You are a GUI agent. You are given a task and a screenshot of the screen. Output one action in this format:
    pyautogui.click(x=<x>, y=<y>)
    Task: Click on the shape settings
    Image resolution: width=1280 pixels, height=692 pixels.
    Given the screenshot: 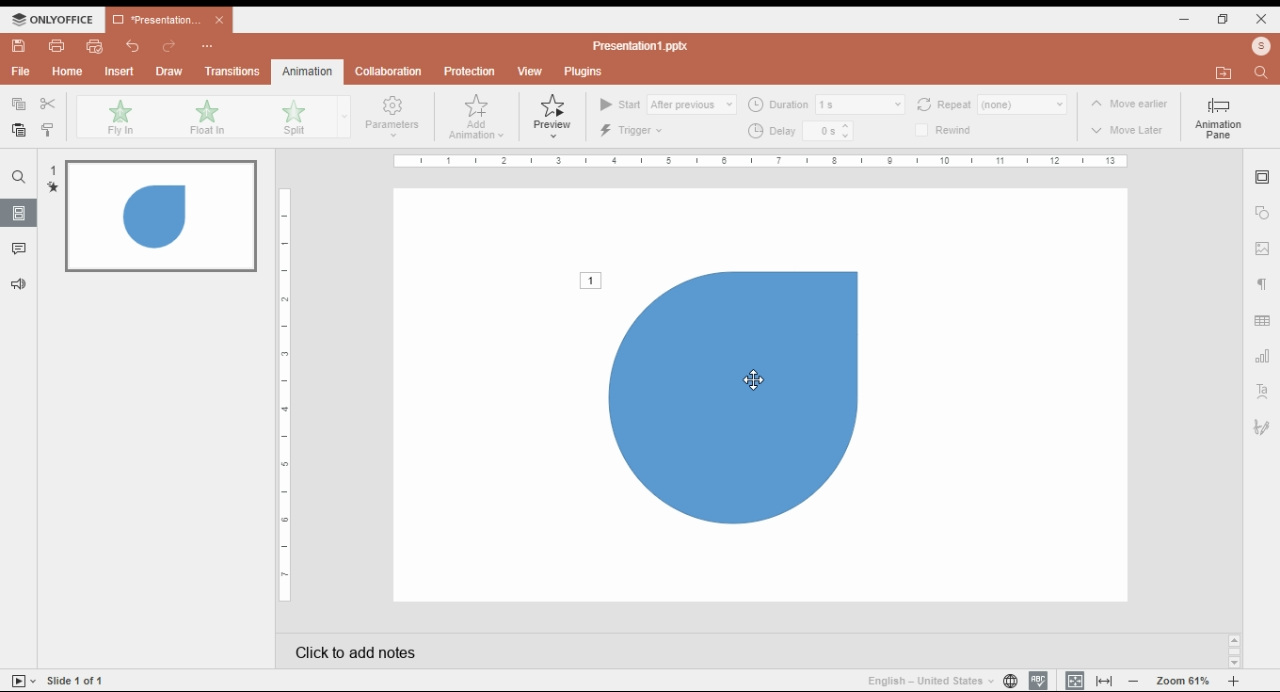 What is the action you would take?
    pyautogui.click(x=1261, y=215)
    